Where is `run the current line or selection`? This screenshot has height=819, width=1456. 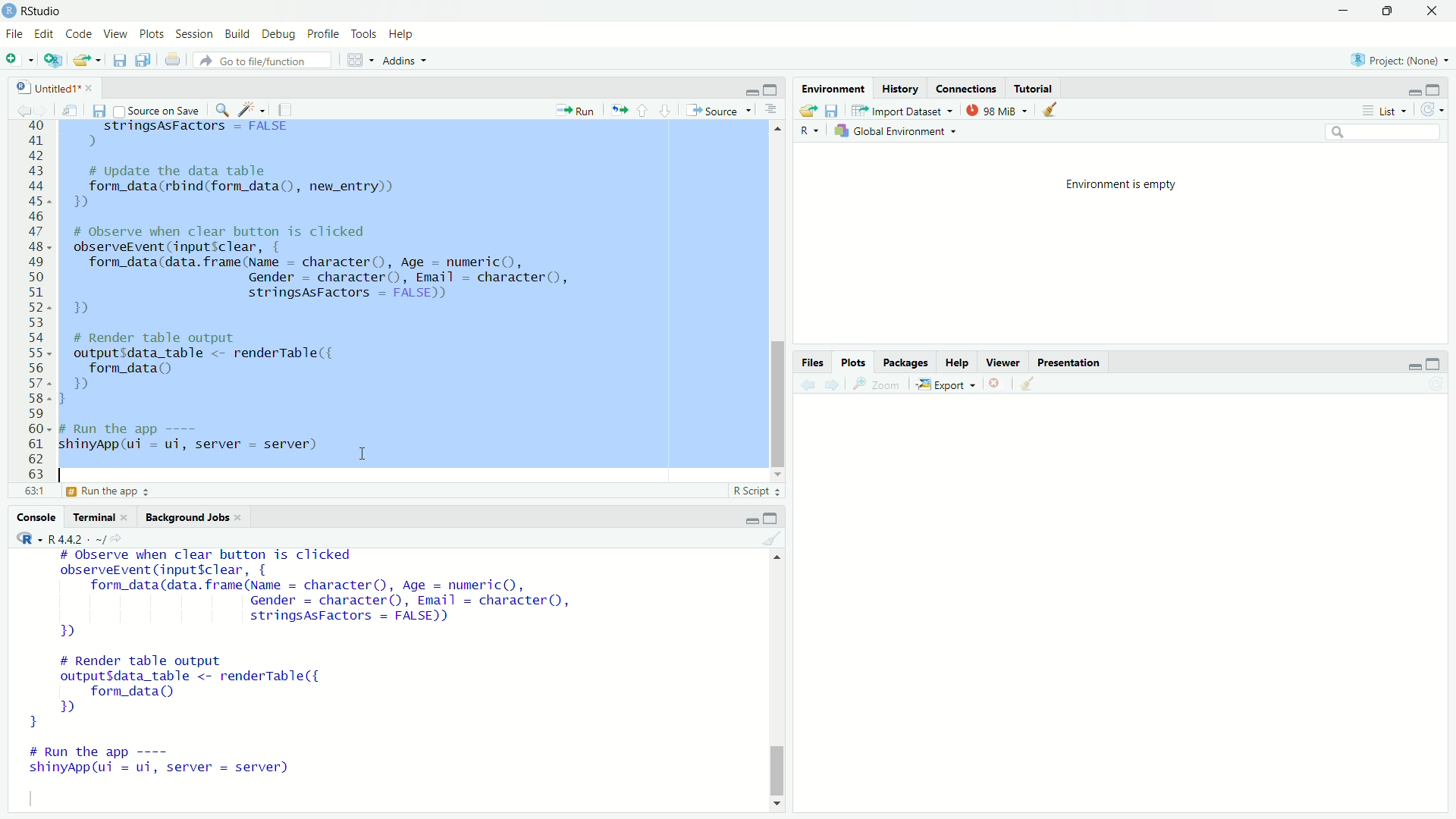
run the current line or selection is located at coordinates (573, 108).